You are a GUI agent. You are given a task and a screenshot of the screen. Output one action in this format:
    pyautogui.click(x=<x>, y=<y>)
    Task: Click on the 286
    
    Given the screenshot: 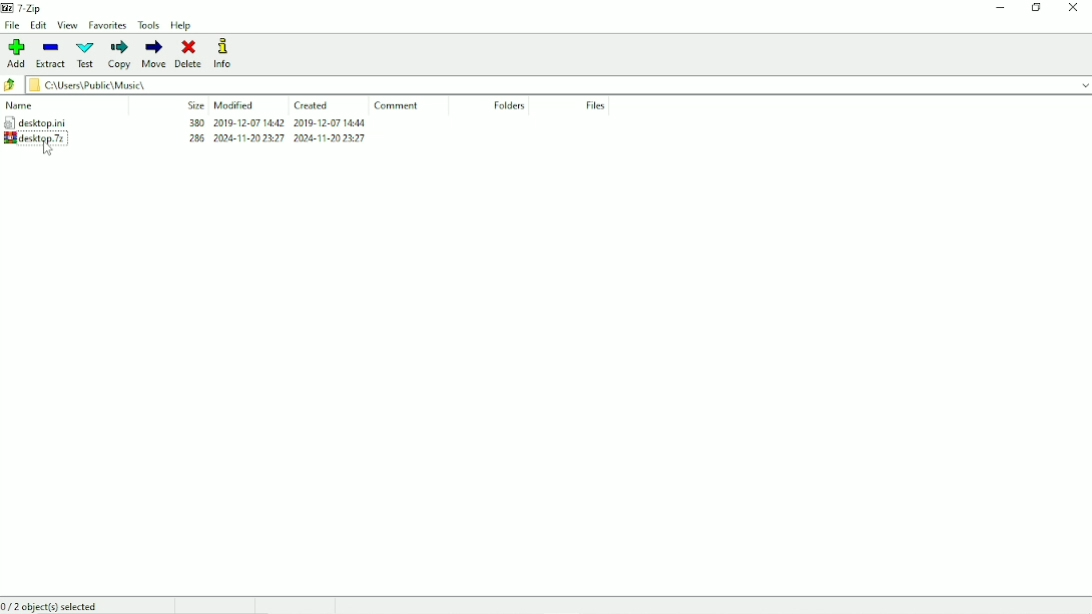 What is the action you would take?
    pyautogui.click(x=197, y=138)
    